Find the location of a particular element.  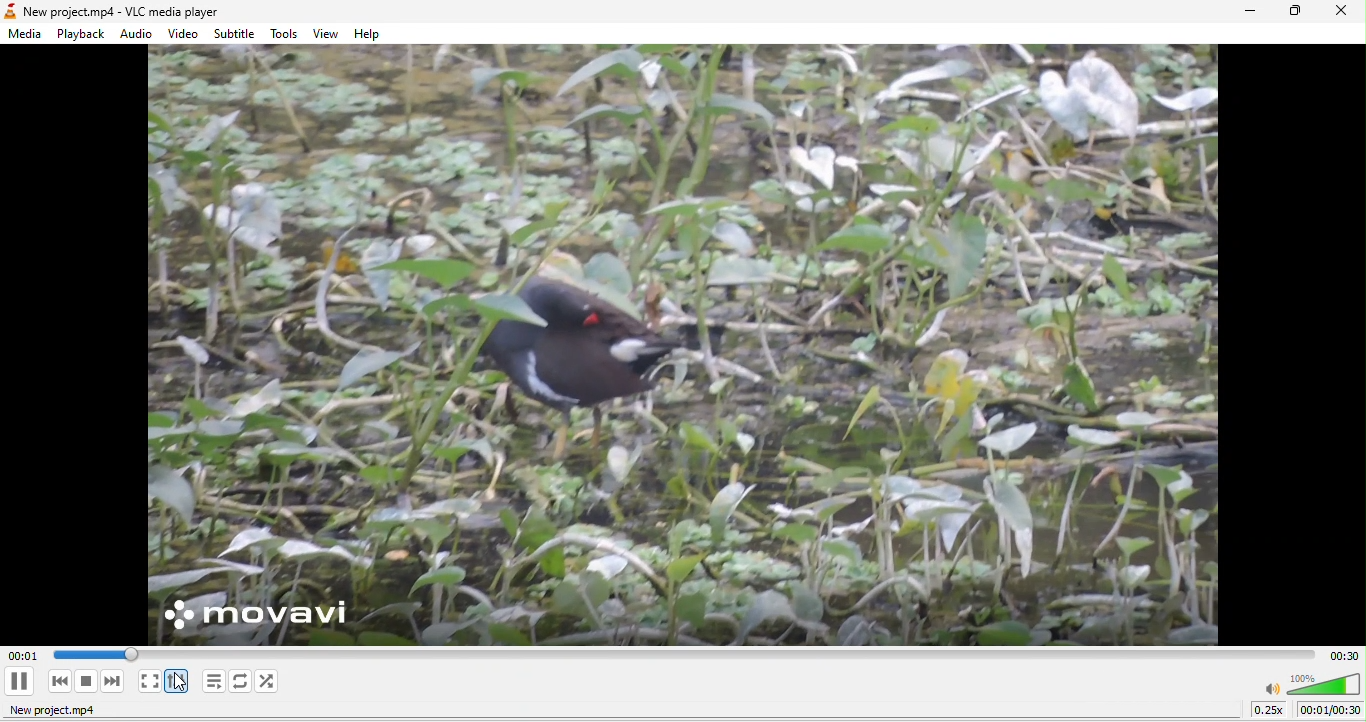

minimize is located at coordinates (1250, 12).